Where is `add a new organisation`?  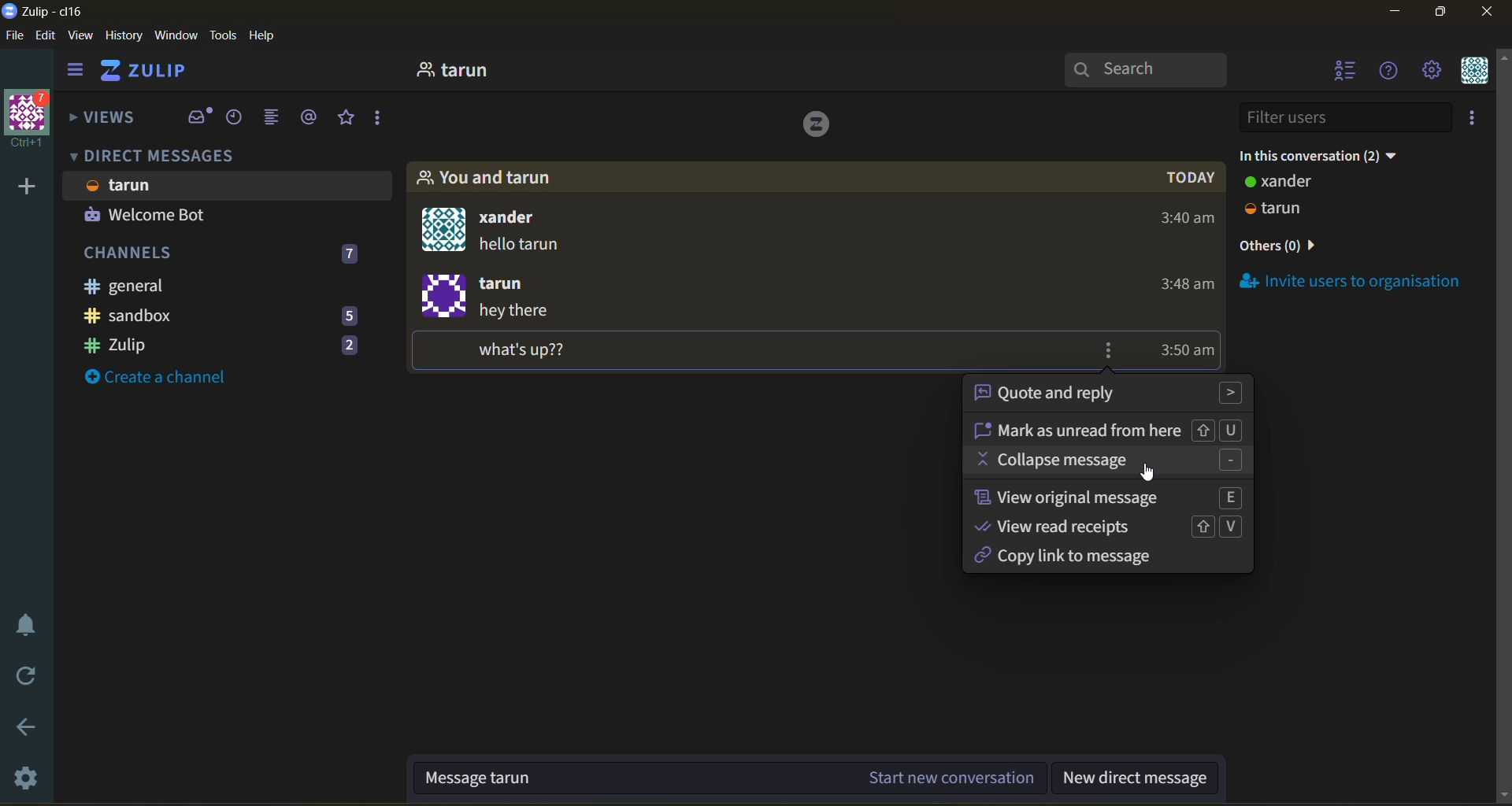 add a new organisation is located at coordinates (23, 187).